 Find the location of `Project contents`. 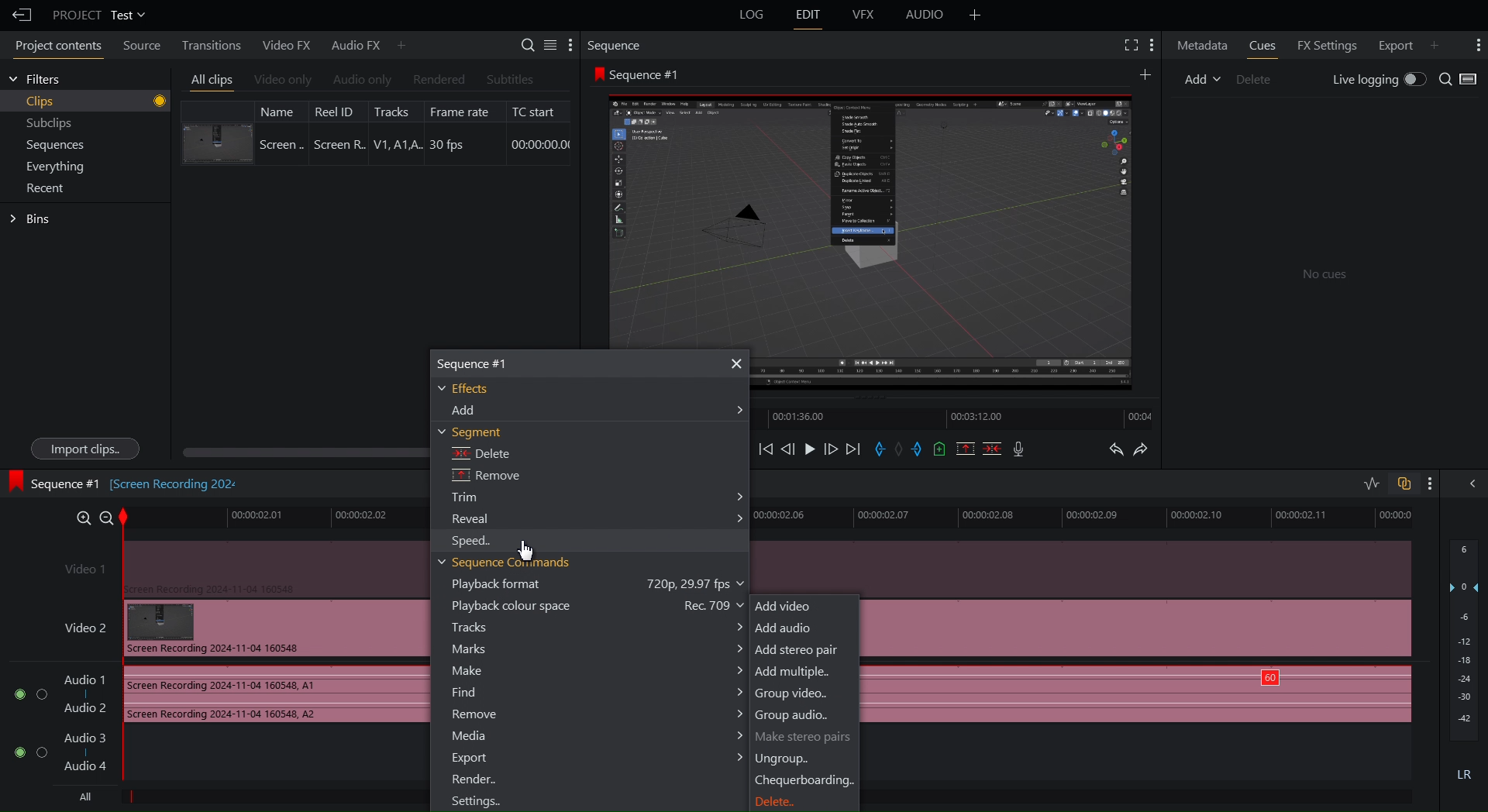

Project contents is located at coordinates (54, 48).